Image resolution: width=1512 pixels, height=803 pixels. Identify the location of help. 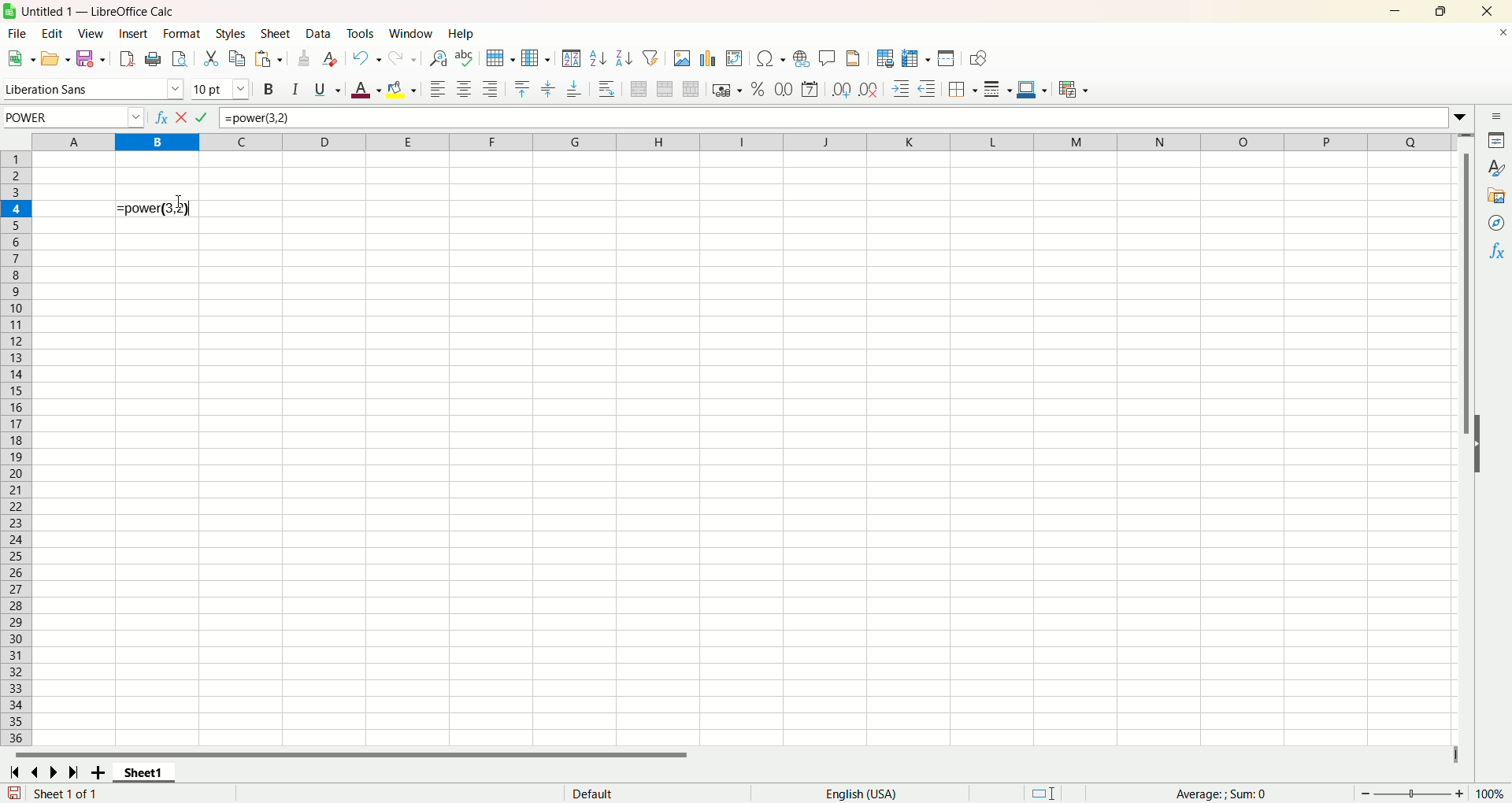
(462, 34).